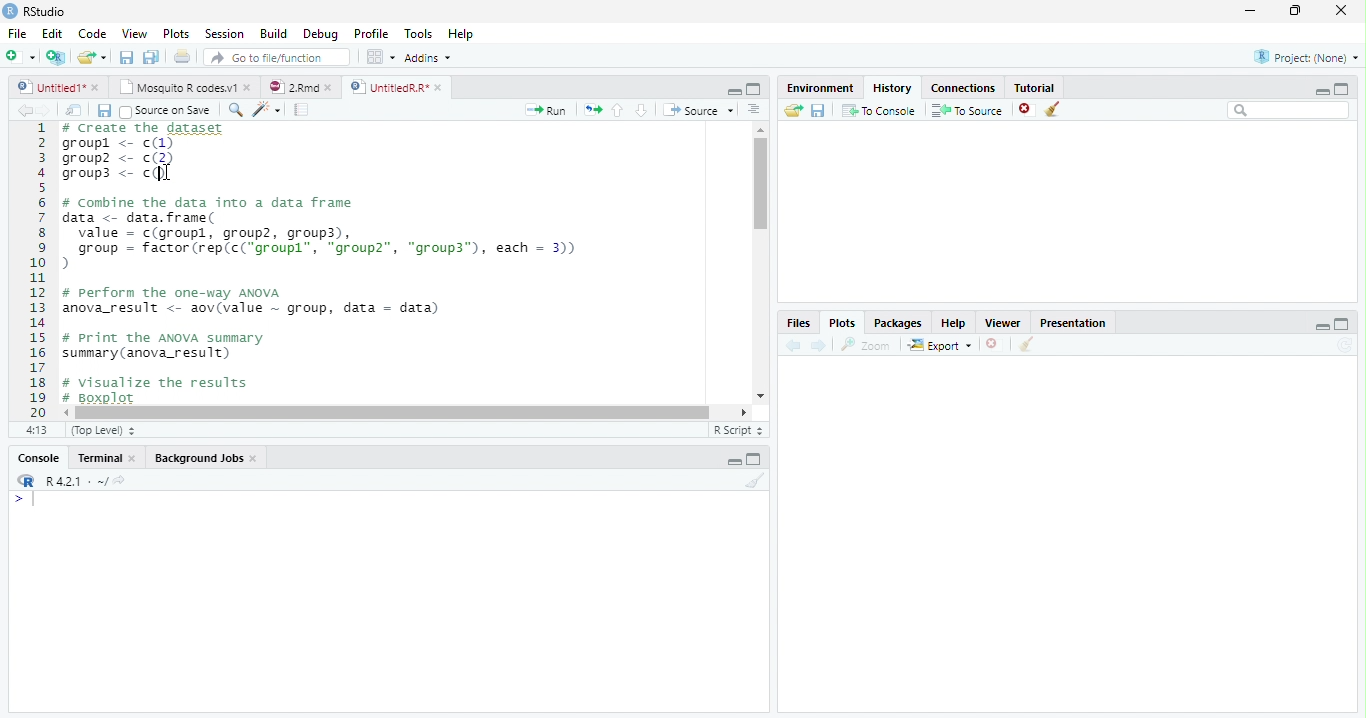 Image resolution: width=1366 pixels, height=718 pixels. Describe the element at coordinates (736, 429) in the screenshot. I see `R script` at that location.